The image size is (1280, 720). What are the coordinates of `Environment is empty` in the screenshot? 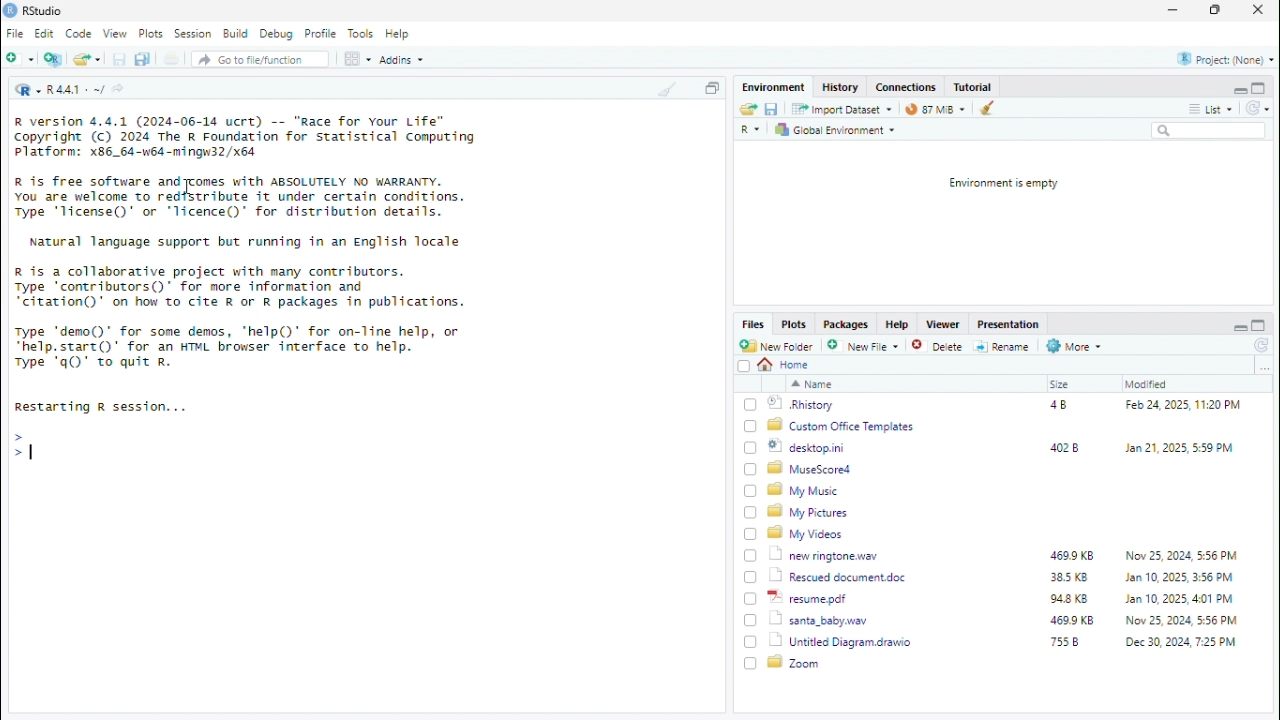 It's located at (1003, 184).